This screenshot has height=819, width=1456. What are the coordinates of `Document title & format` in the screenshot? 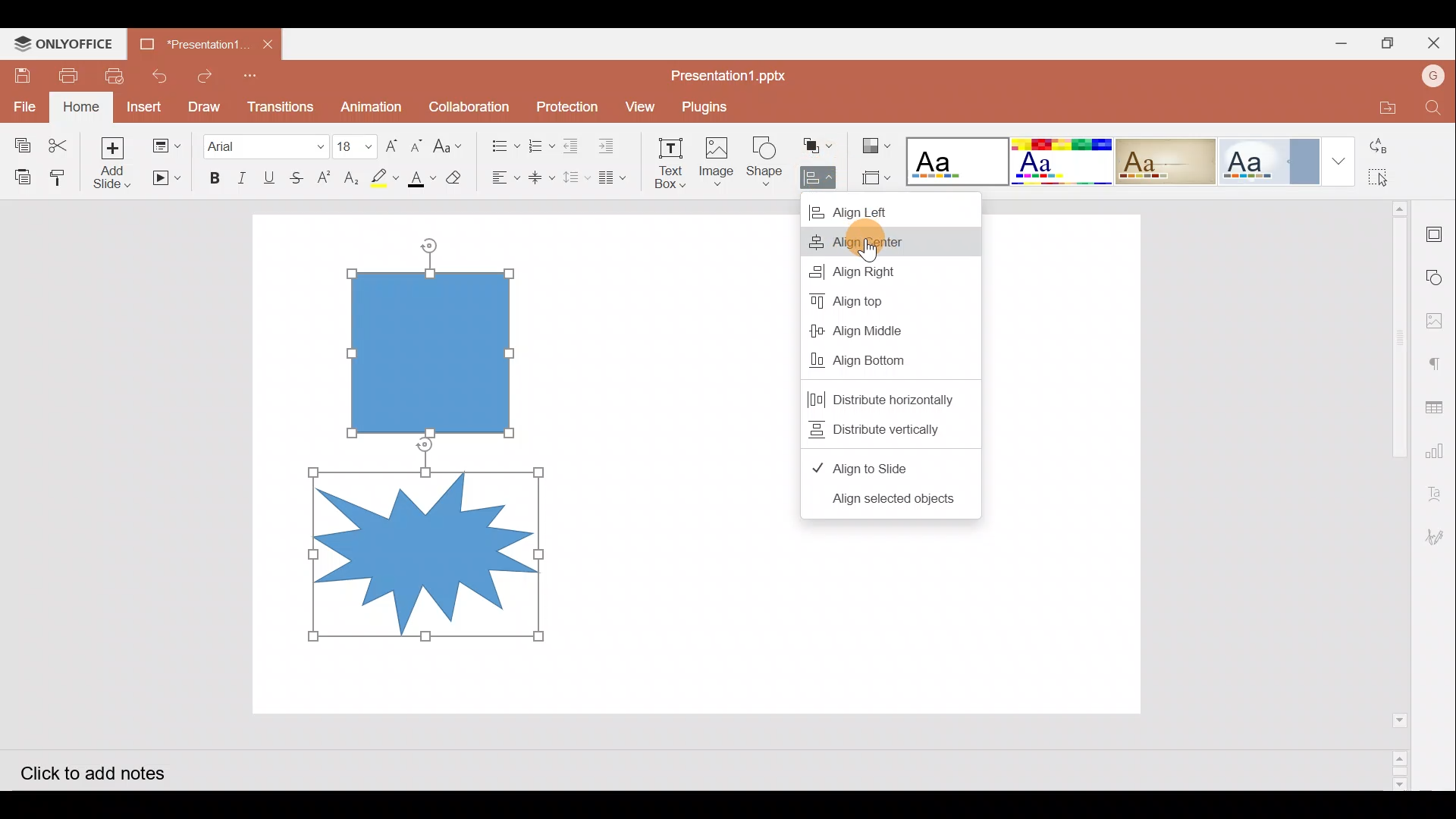 It's located at (733, 73).